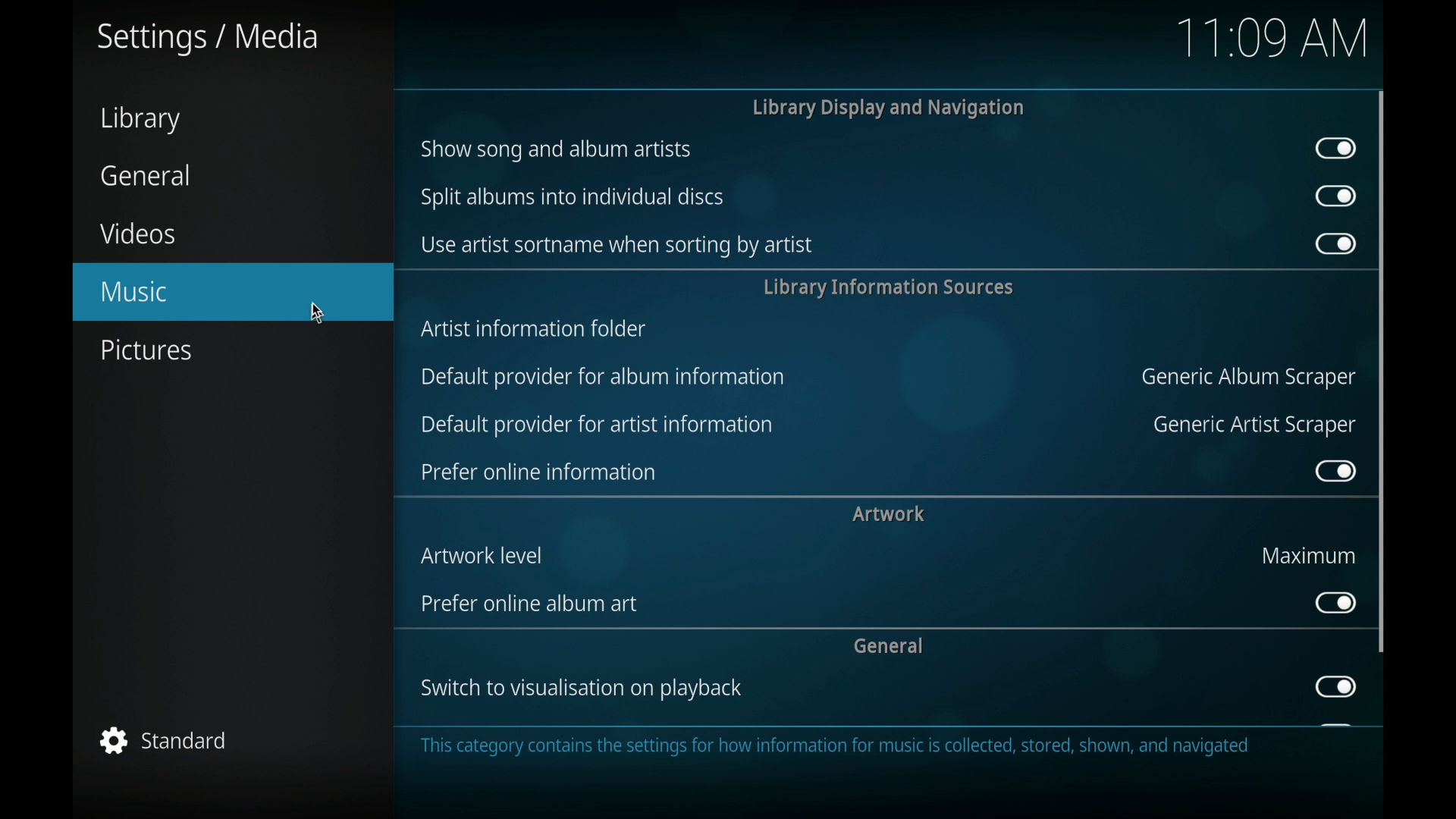  Describe the element at coordinates (889, 645) in the screenshot. I see `general` at that location.